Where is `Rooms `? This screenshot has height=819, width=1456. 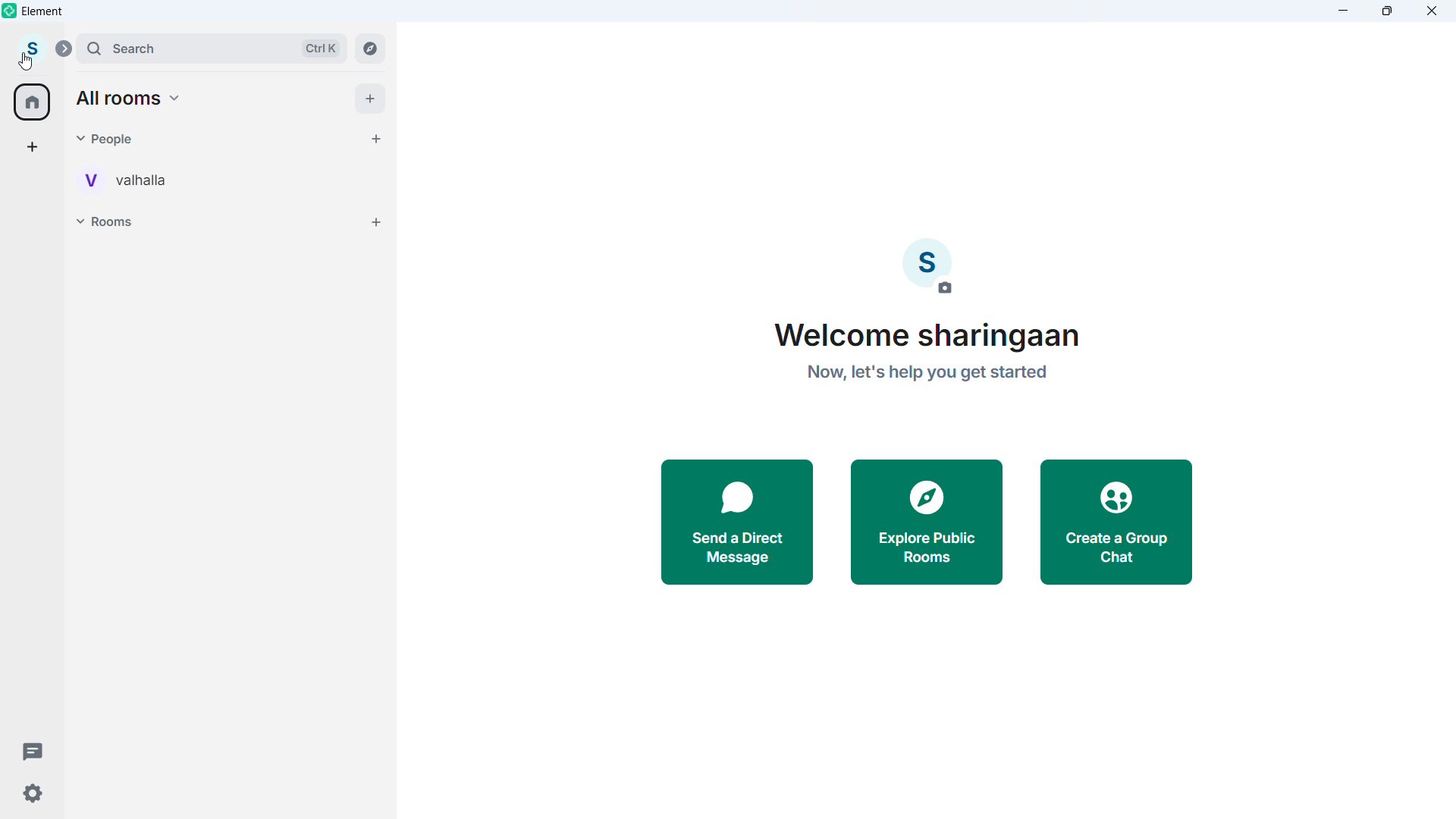
Rooms  is located at coordinates (118, 222).